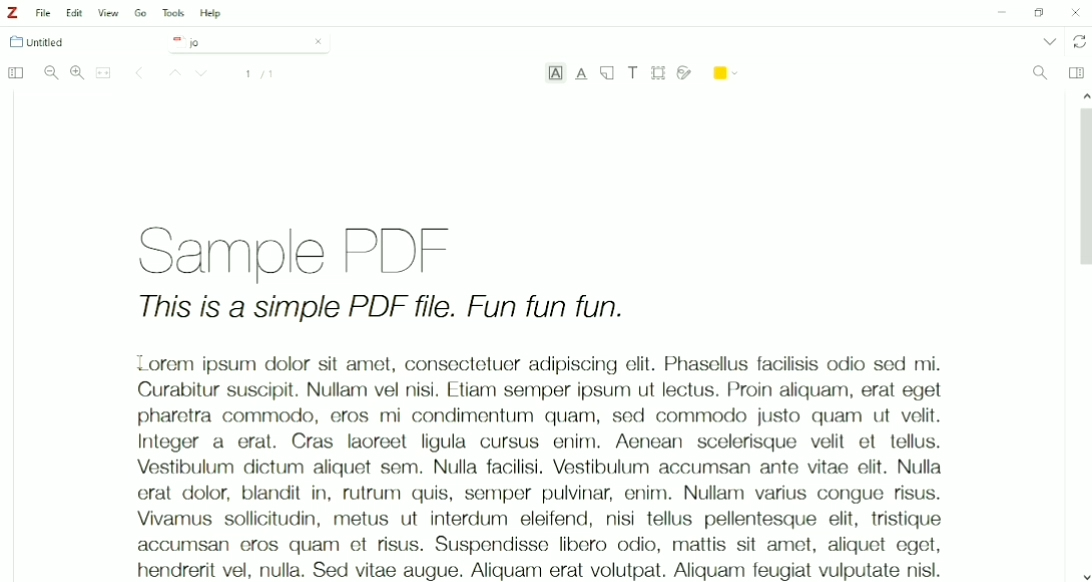 This screenshot has height=582, width=1092. What do you see at coordinates (582, 74) in the screenshot?
I see `Underline Text` at bounding box center [582, 74].